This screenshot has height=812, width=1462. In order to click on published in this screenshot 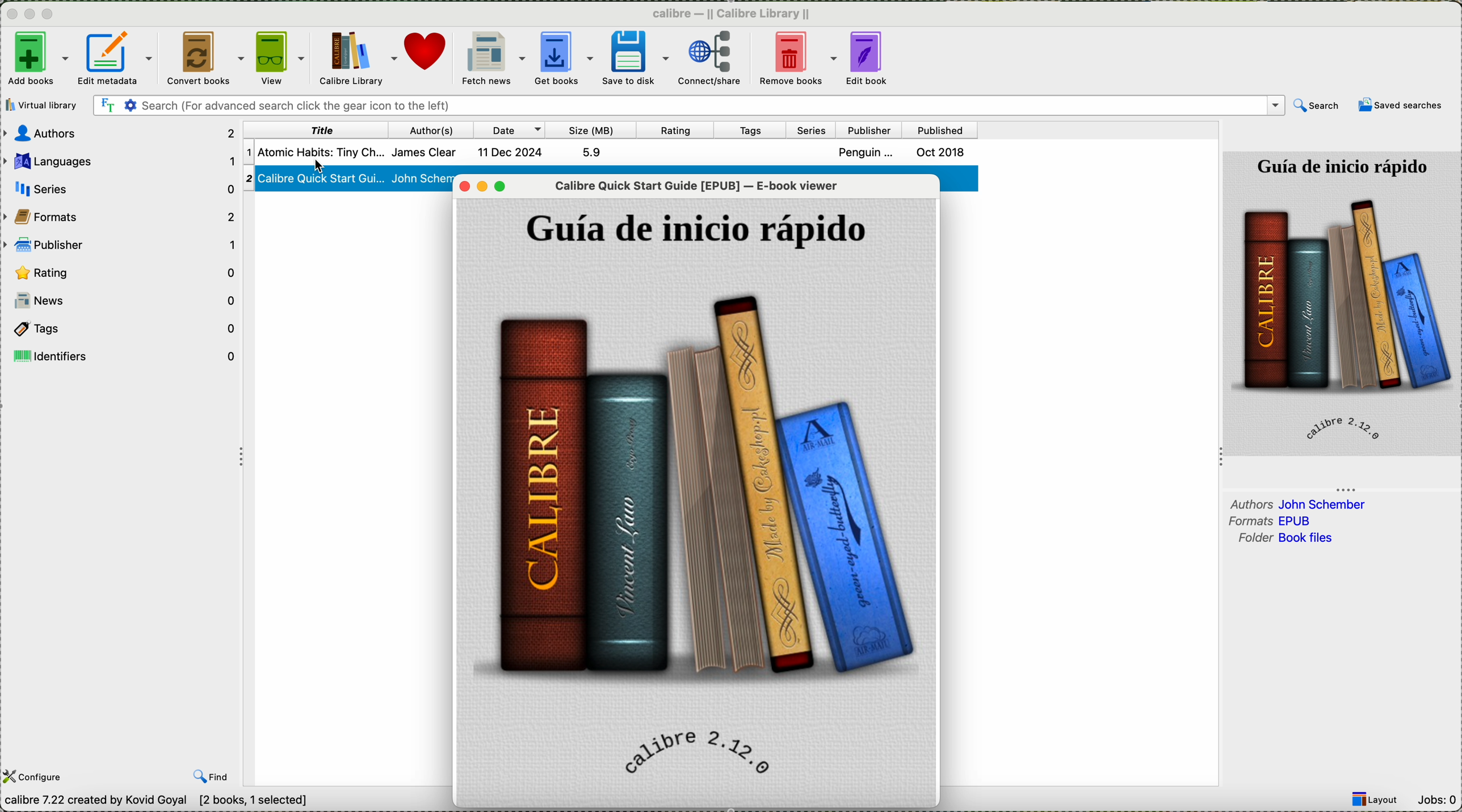, I will do `click(939, 131)`.